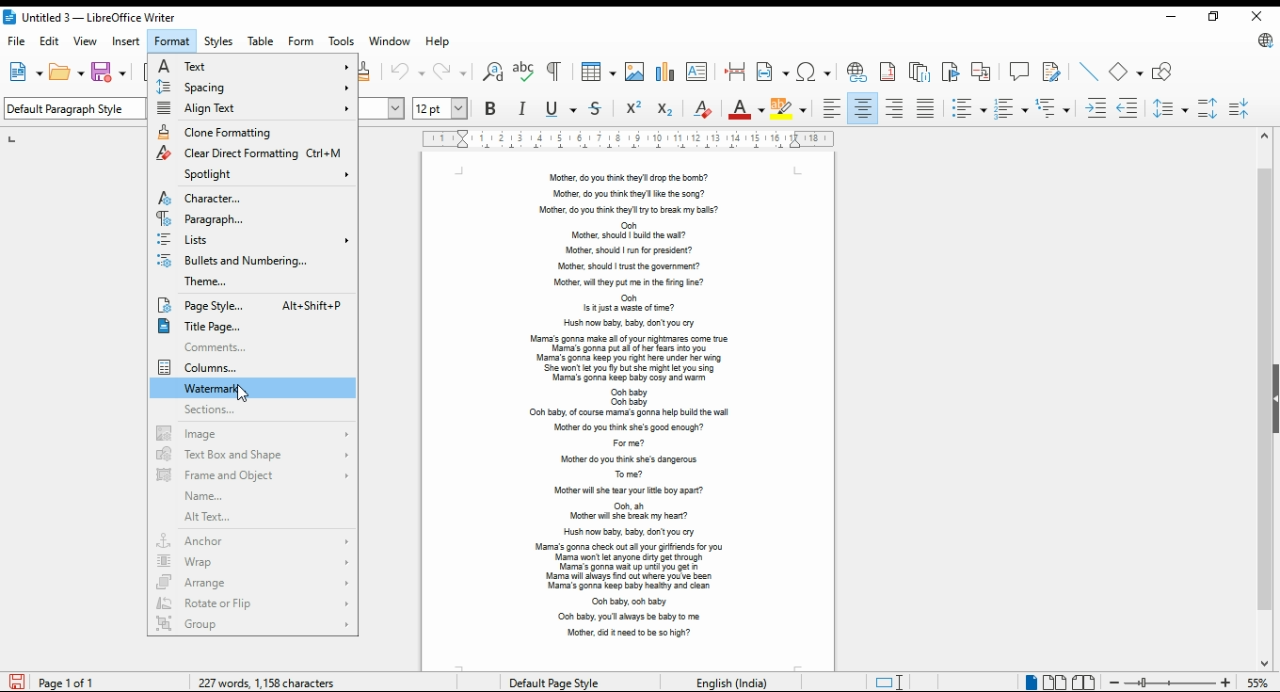 Image resolution: width=1280 pixels, height=692 pixels. I want to click on insert footnote, so click(889, 72).